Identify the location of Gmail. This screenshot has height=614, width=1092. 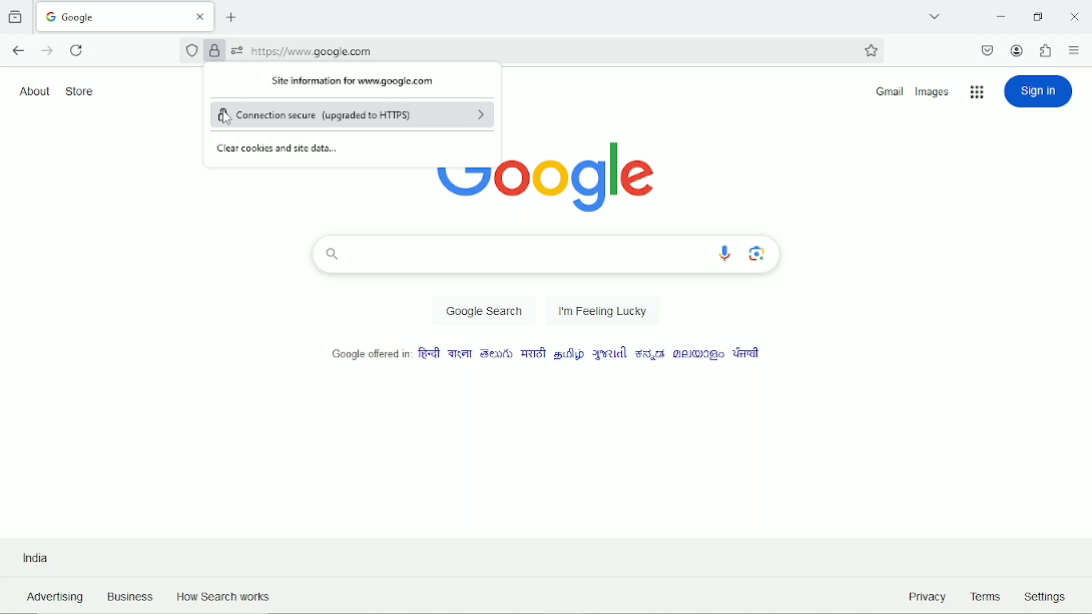
(889, 92).